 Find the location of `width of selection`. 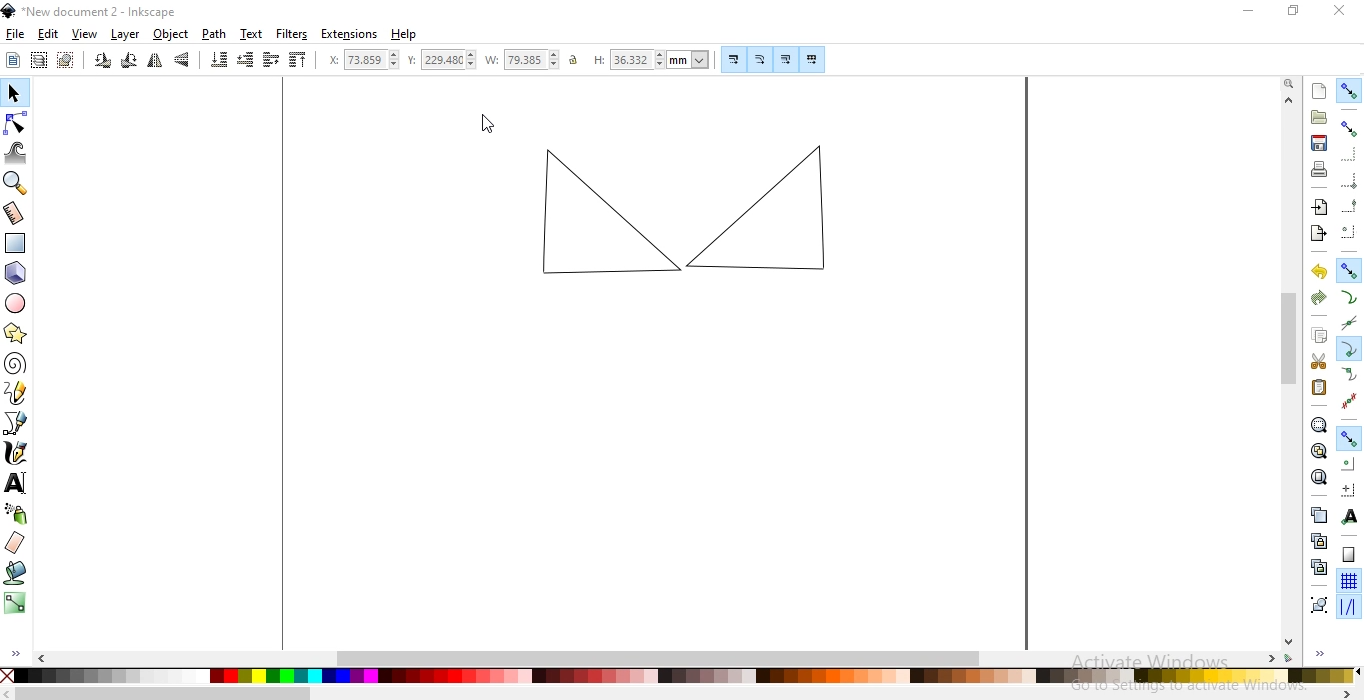

width of selection is located at coordinates (526, 58).